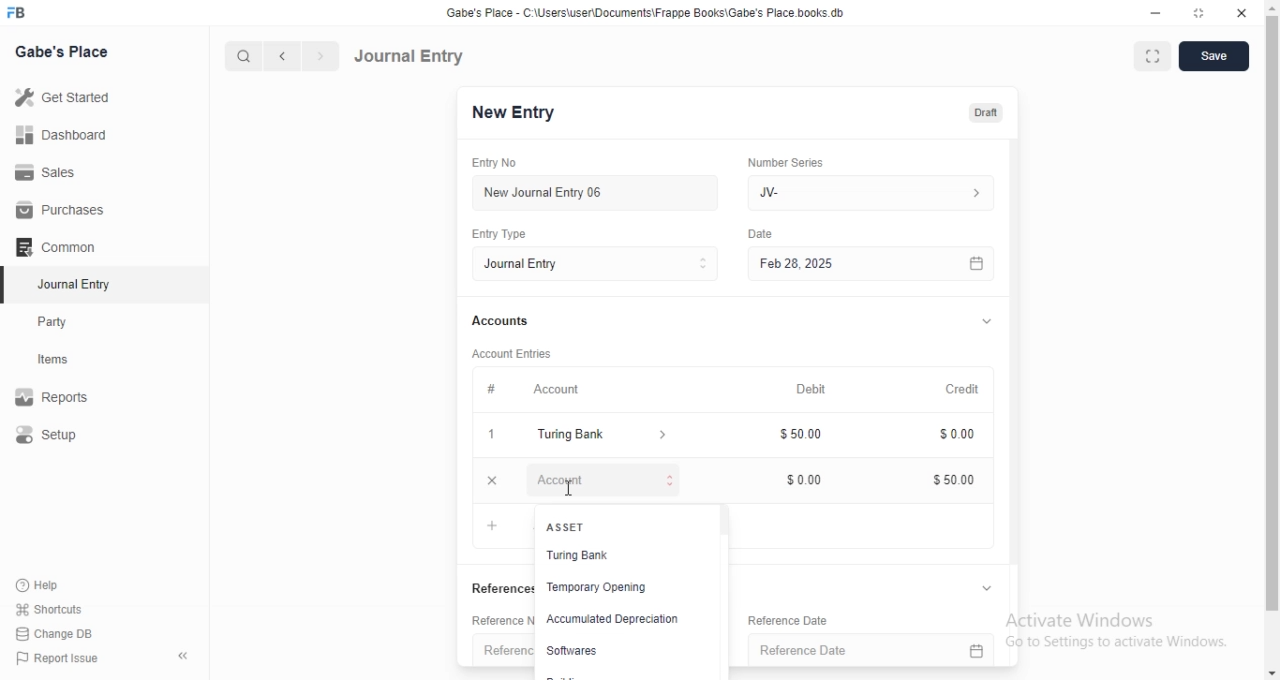 Image resolution: width=1280 pixels, height=680 pixels. I want to click on Reports, so click(65, 399).